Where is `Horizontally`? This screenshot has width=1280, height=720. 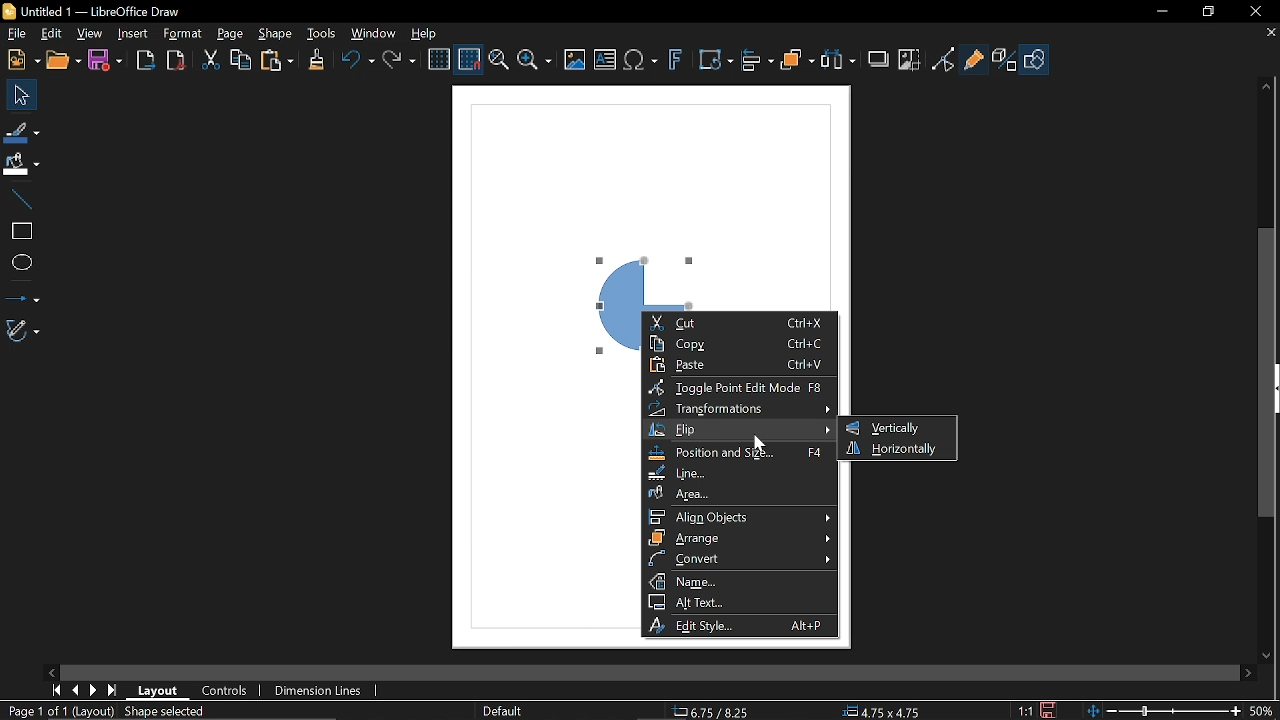
Horizontally is located at coordinates (894, 449).